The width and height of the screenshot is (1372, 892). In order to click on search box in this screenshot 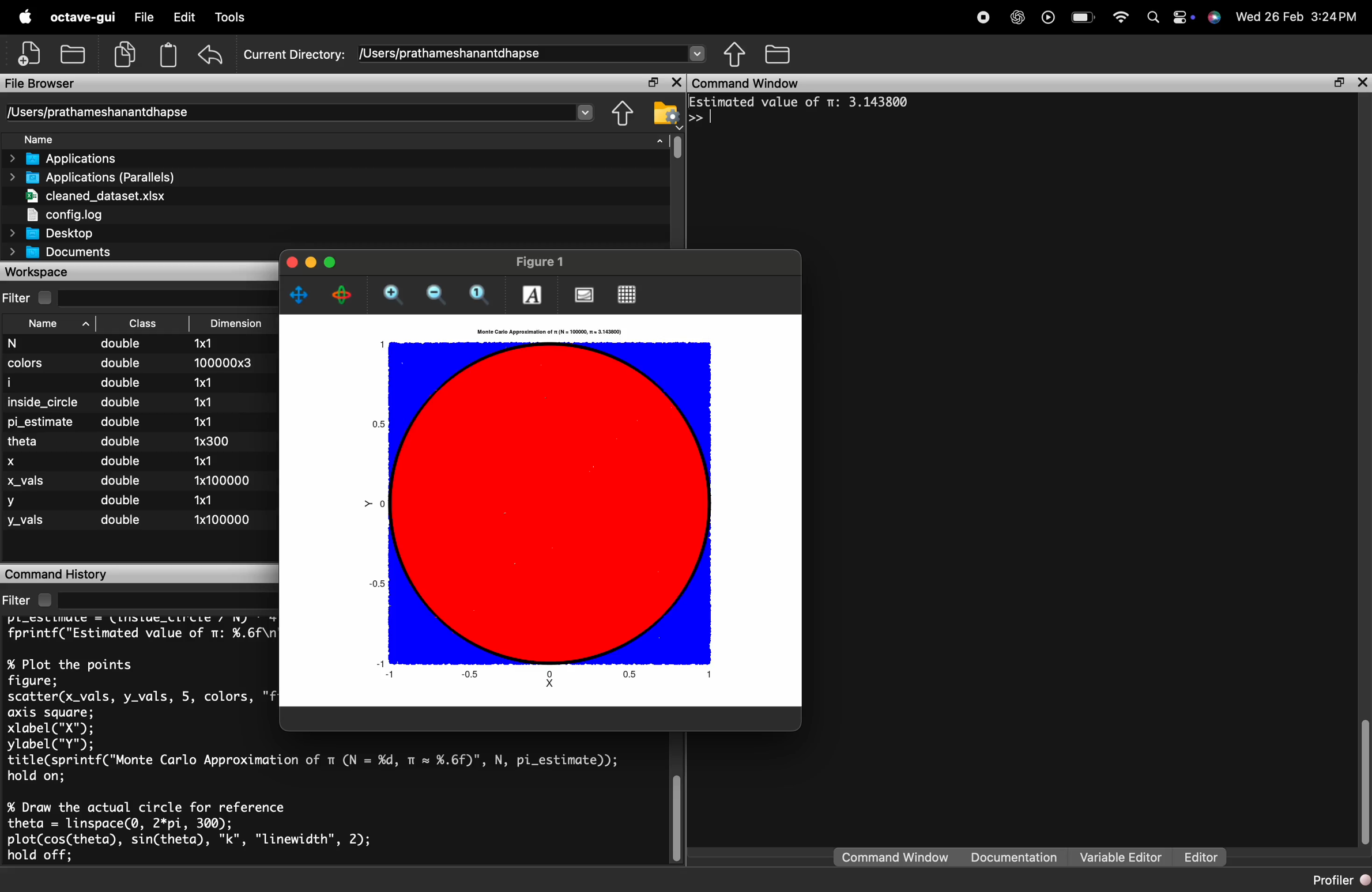, I will do `click(168, 296)`.